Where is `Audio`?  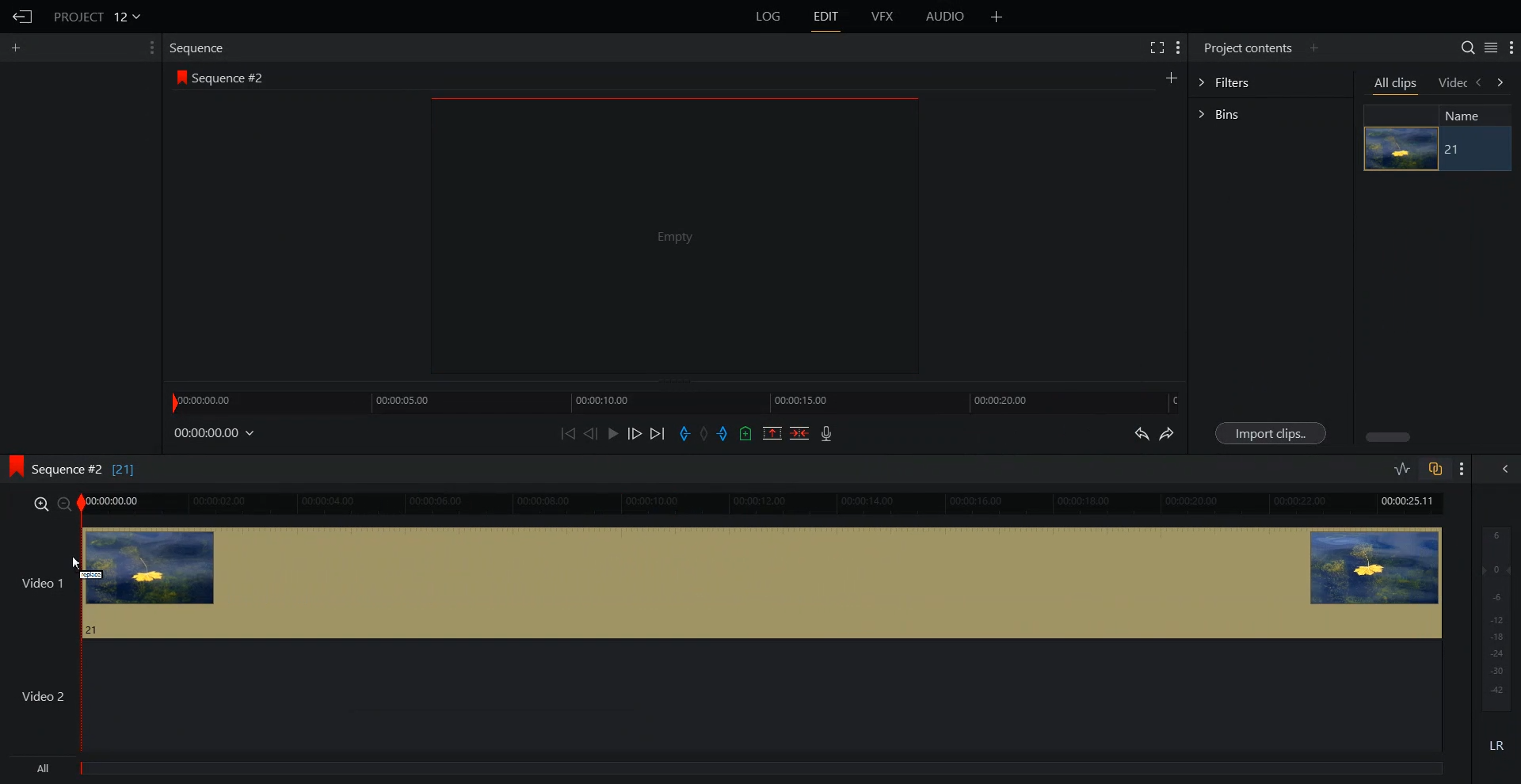
Audio is located at coordinates (947, 17).